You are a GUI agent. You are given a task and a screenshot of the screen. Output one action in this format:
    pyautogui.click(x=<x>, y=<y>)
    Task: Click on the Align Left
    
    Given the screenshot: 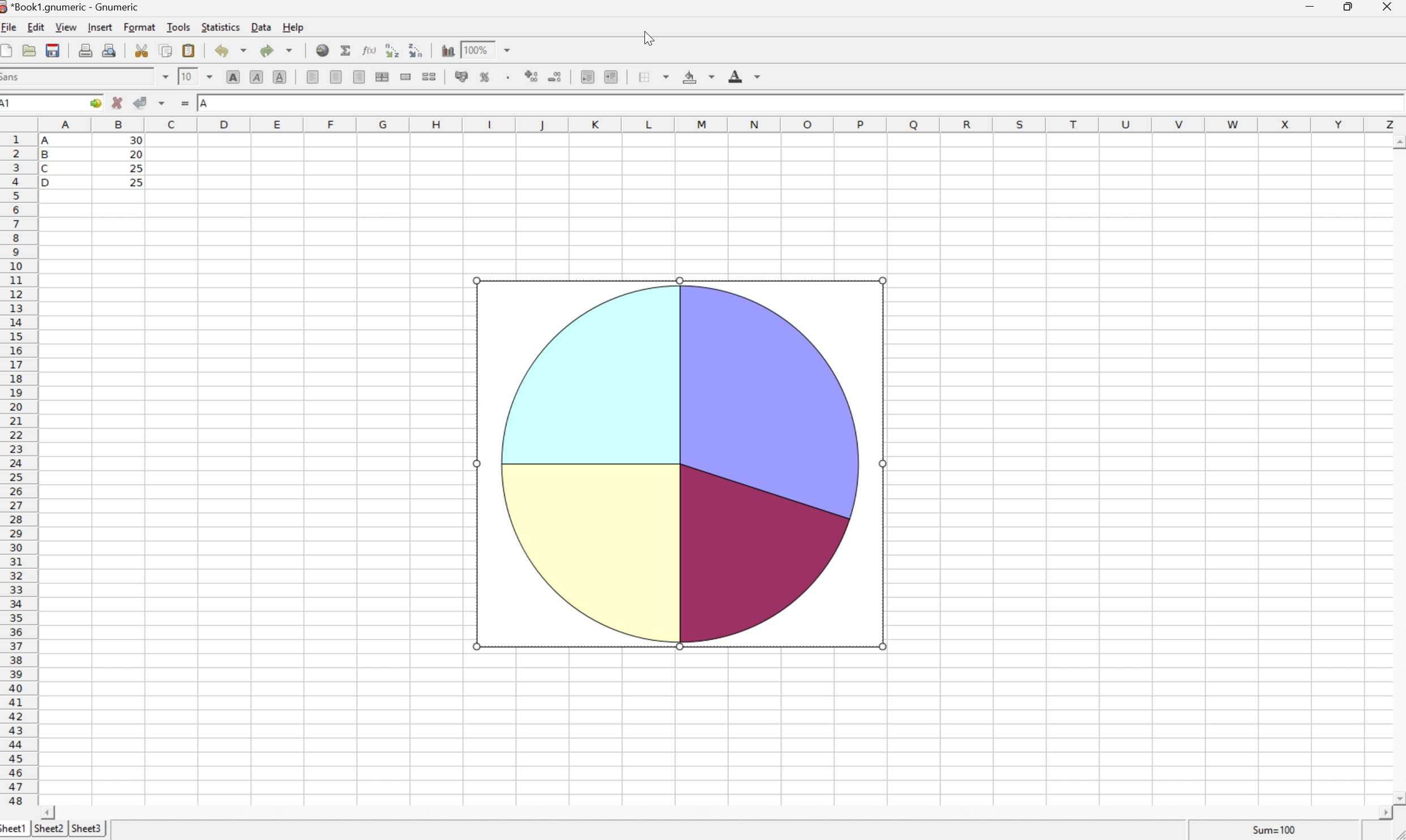 What is the action you would take?
    pyautogui.click(x=313, y=78)
    